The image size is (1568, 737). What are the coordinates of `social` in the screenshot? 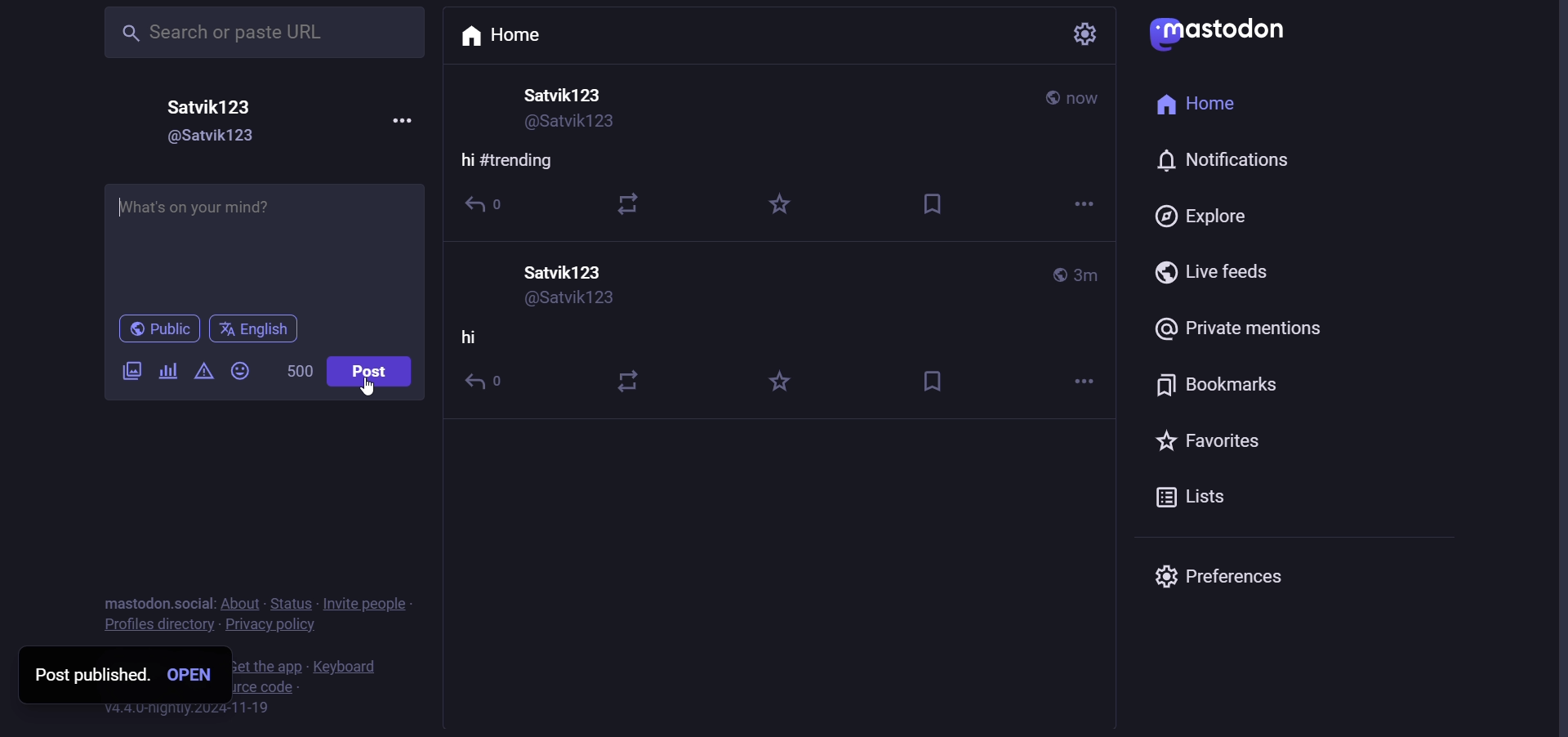 It's located at (196, 601).